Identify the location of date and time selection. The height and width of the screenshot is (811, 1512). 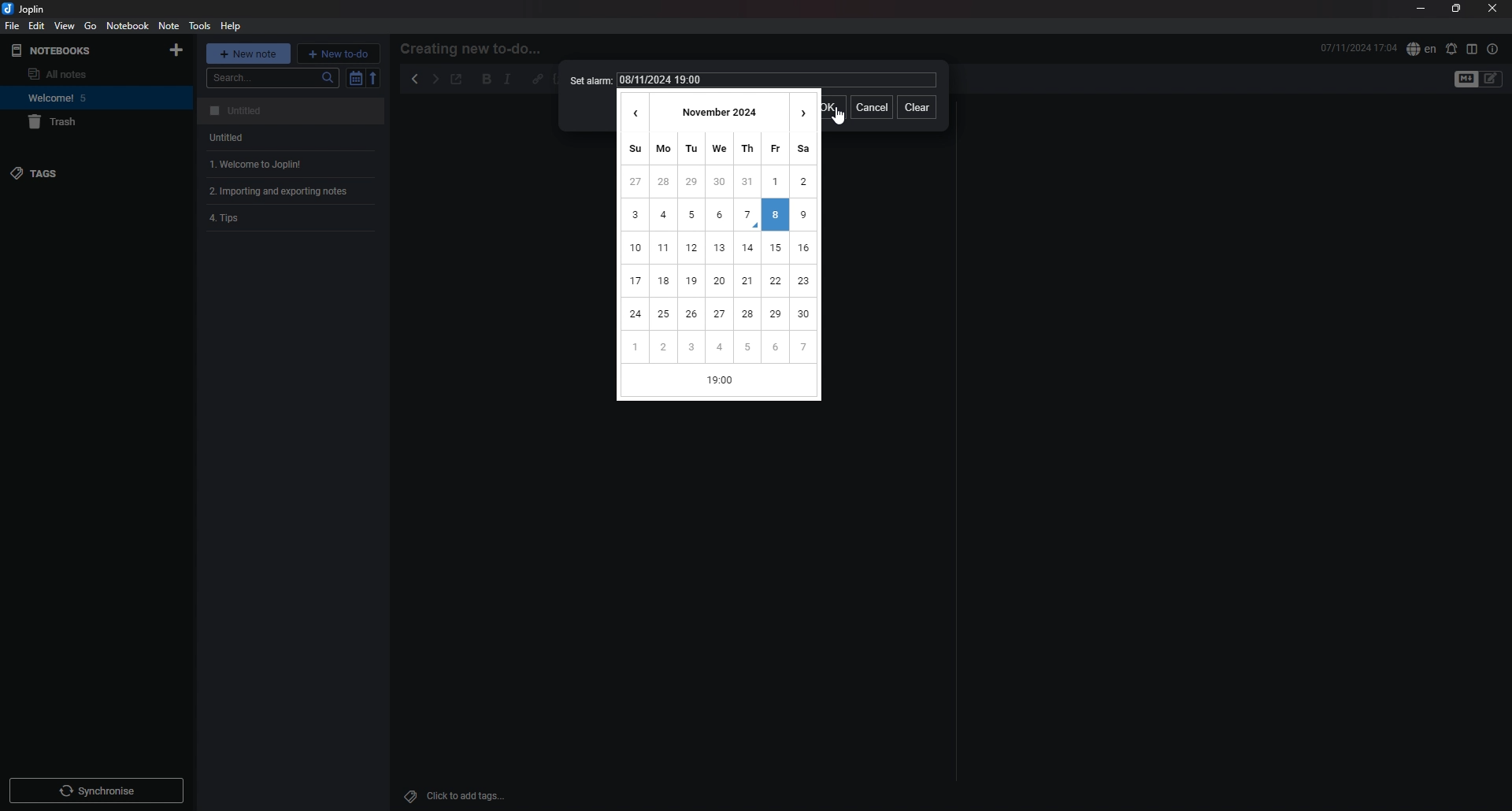
(776, 80).